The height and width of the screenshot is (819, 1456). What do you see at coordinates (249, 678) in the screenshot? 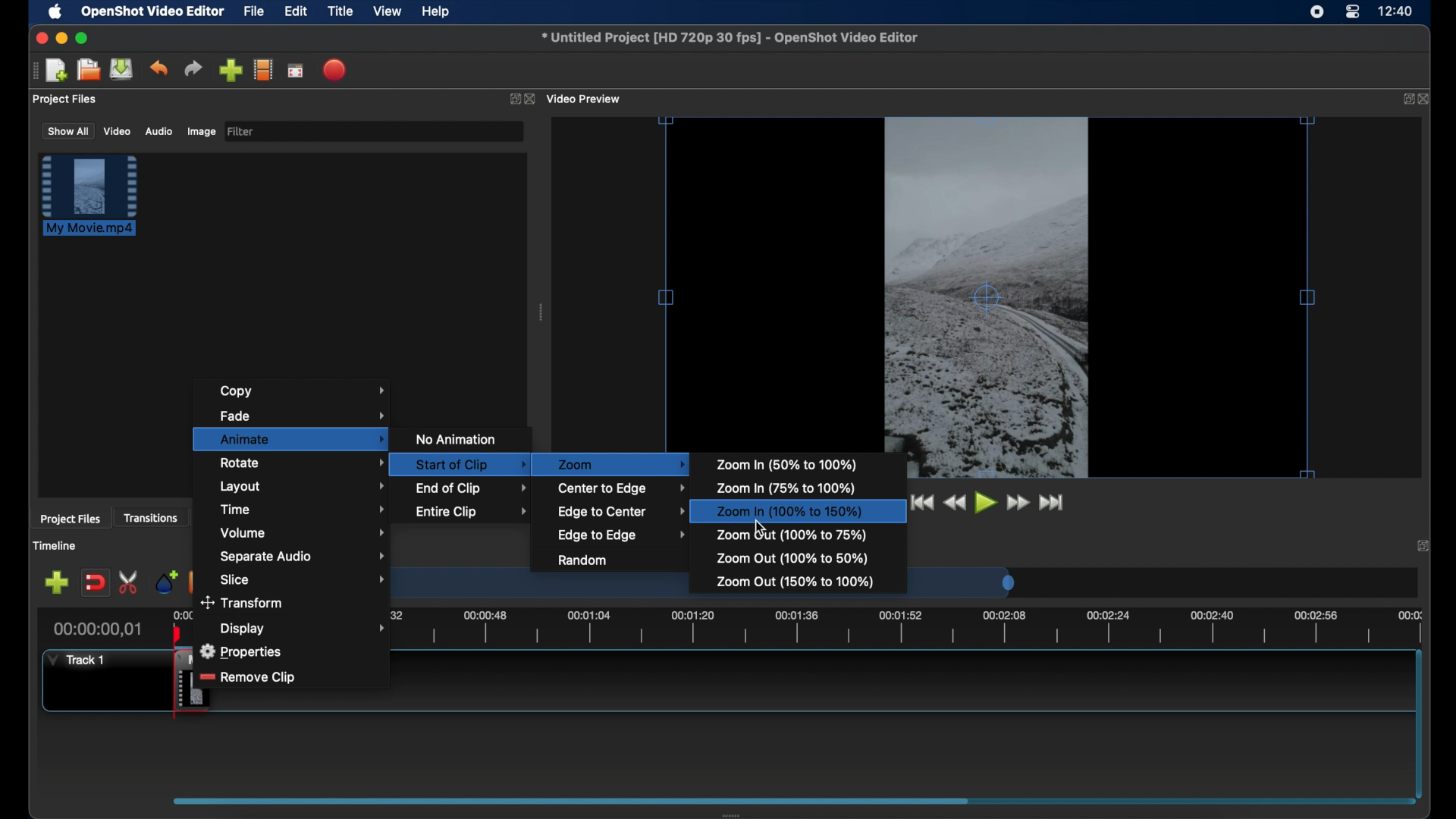
I see `remove clip` at bounding box center [249, 678].